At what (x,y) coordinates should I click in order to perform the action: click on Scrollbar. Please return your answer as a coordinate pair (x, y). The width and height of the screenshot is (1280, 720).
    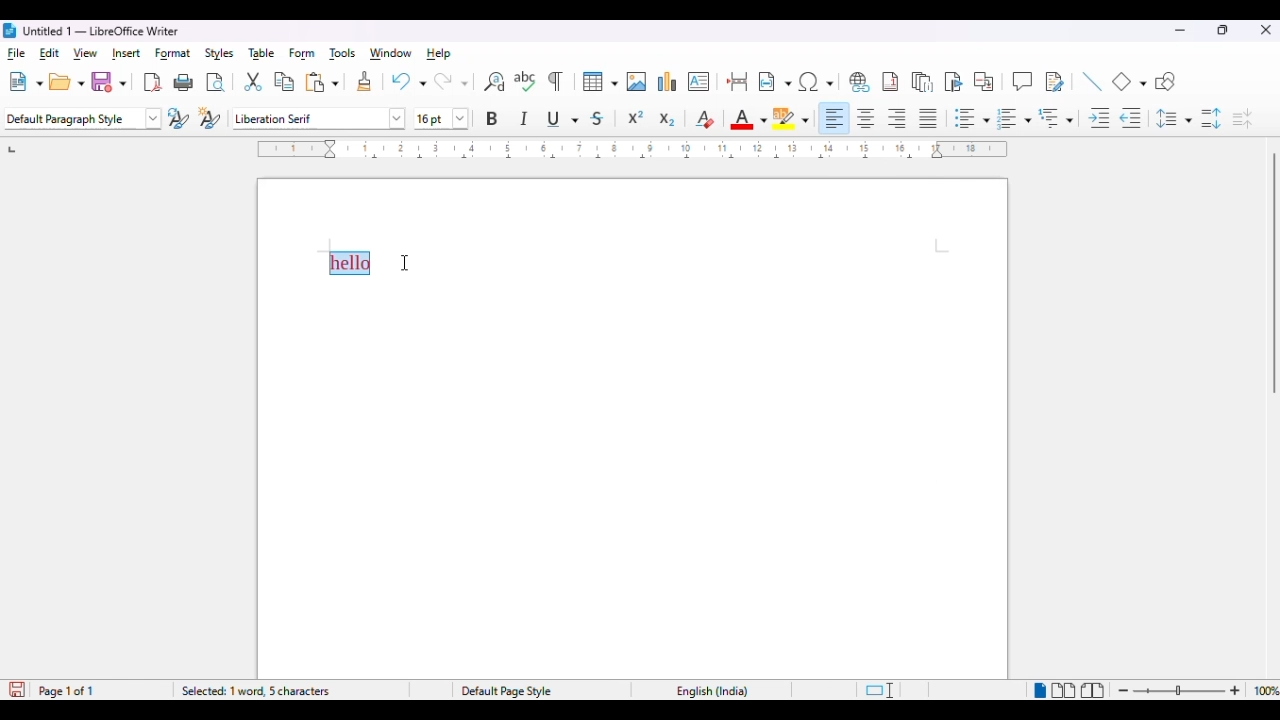
    Looking at the image, I should click on (1267, 410).